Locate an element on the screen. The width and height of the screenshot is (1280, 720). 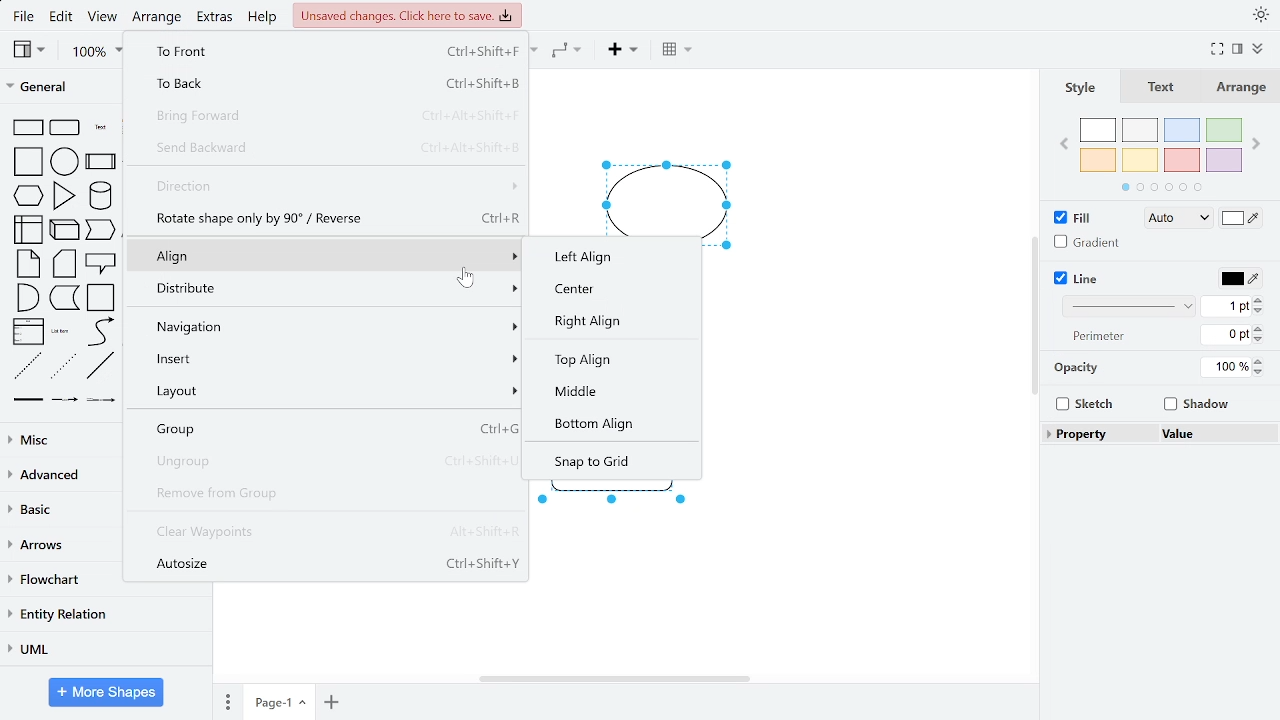
curve is located at coordinates (99, 332).